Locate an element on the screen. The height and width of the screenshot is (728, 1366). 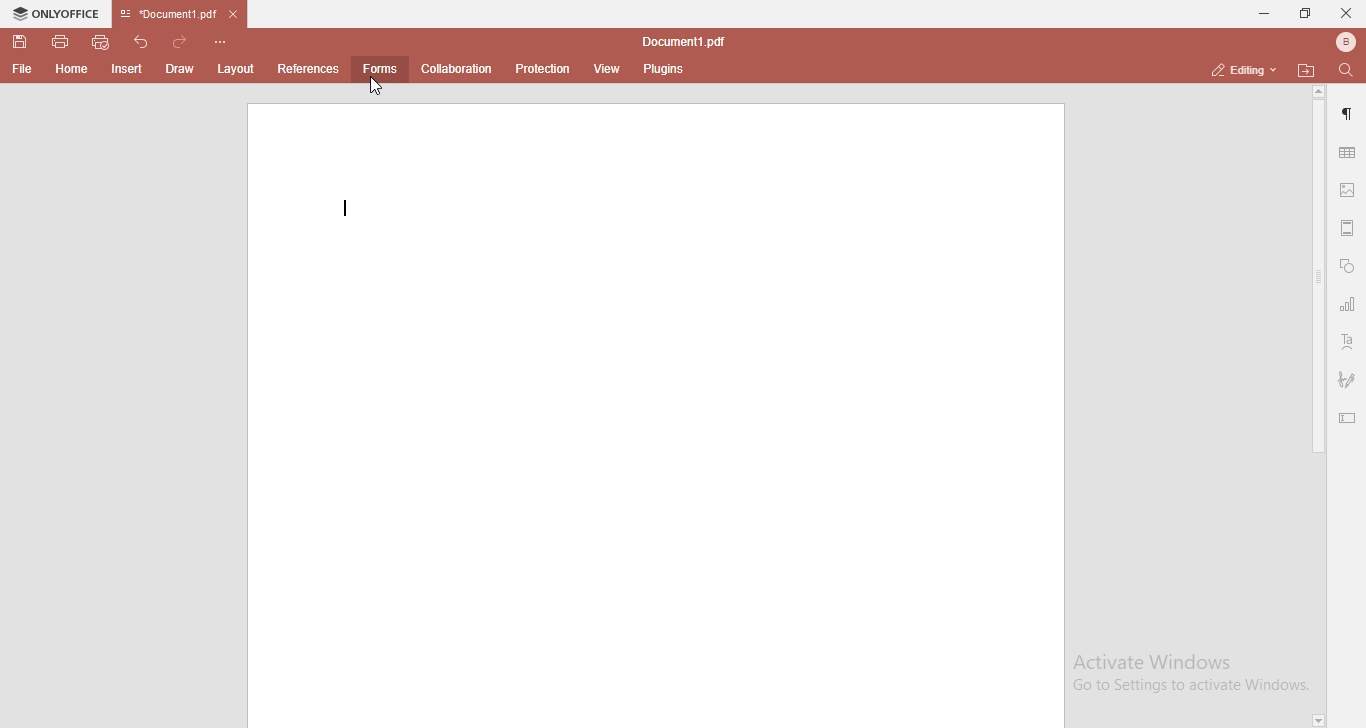
table is located at coordinates (1348, 152).